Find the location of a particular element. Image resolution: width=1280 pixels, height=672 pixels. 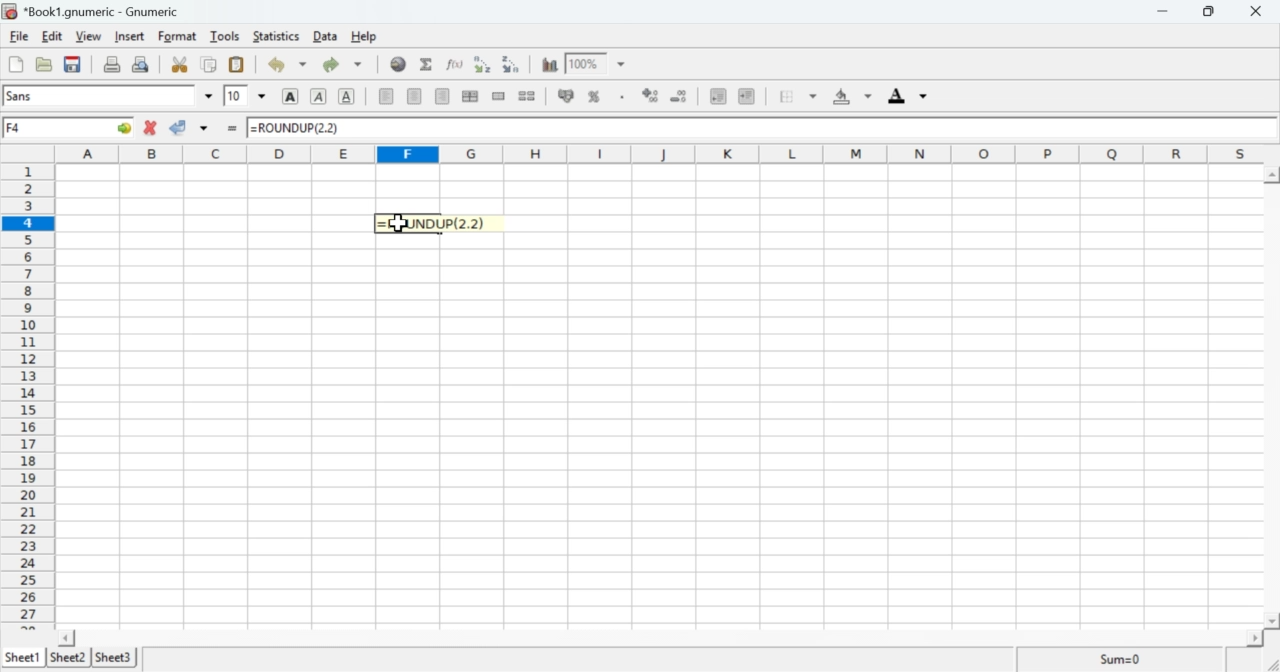

scroll bar is located at coordinates (1273, 401).